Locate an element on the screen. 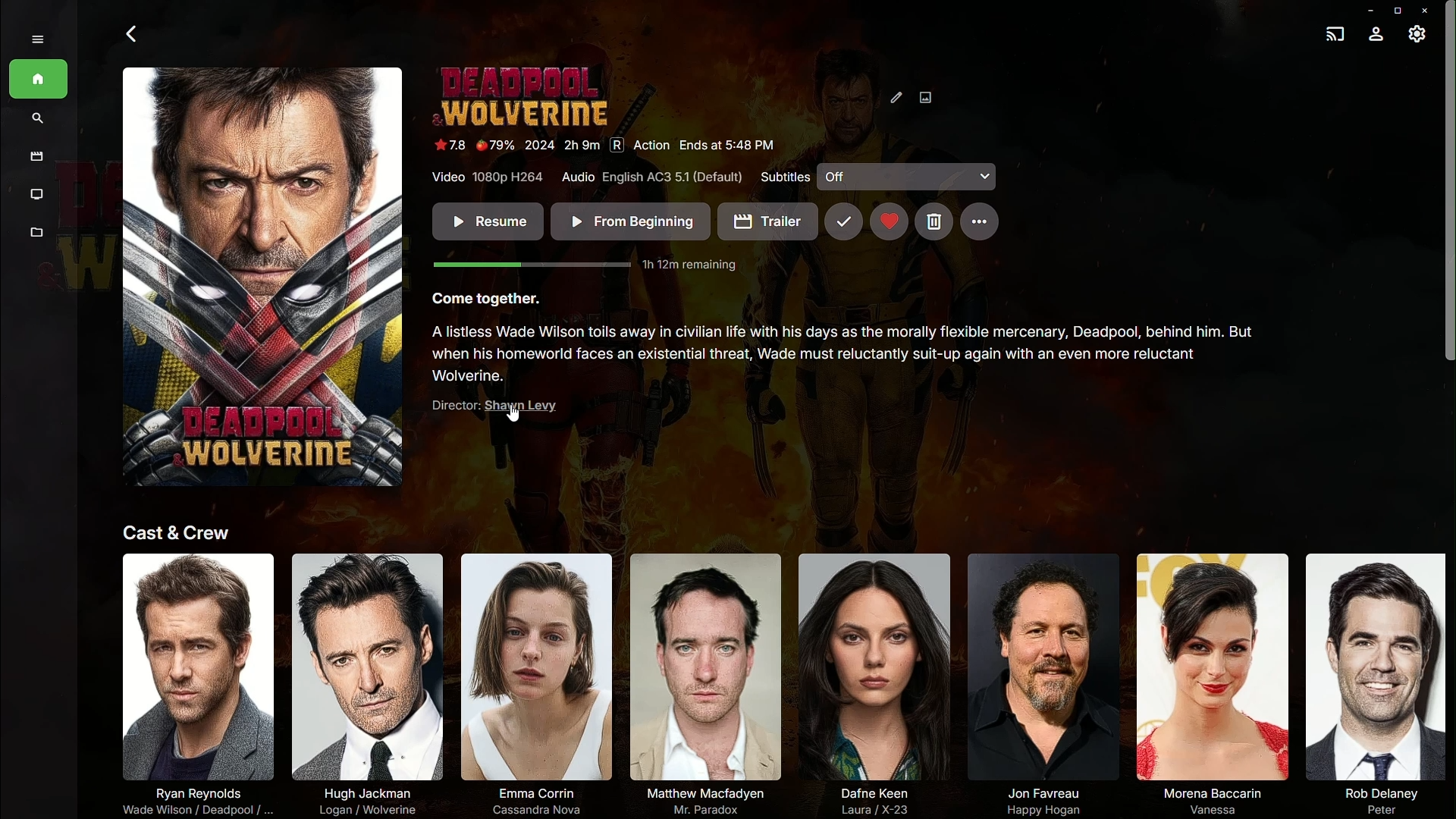 The image size is (1456, 819). Matthew Macfayden is located at coordinates (698, 682).